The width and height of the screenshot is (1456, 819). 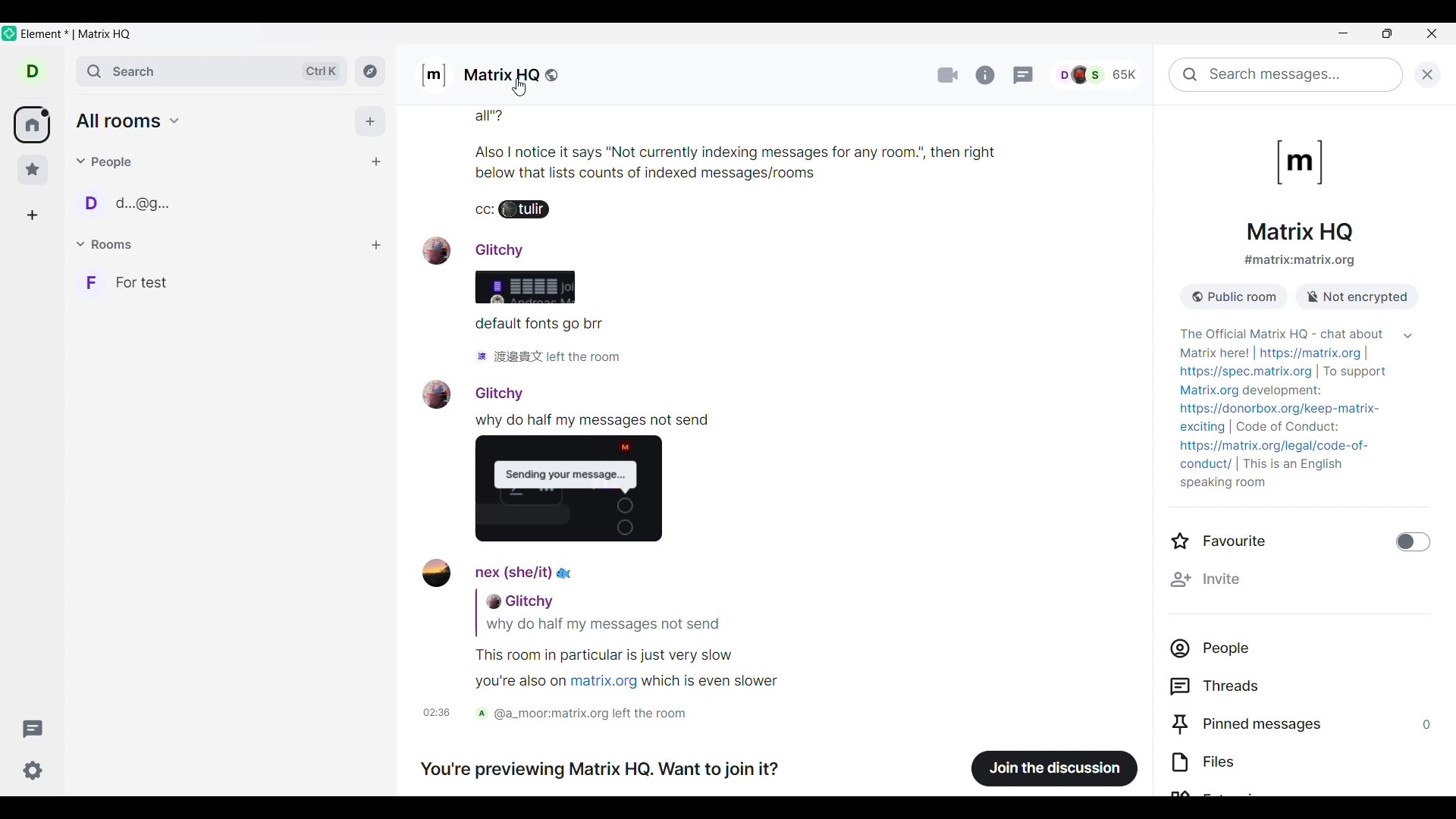 I want to click on why do half my message not send, so click(x=598, y=421).